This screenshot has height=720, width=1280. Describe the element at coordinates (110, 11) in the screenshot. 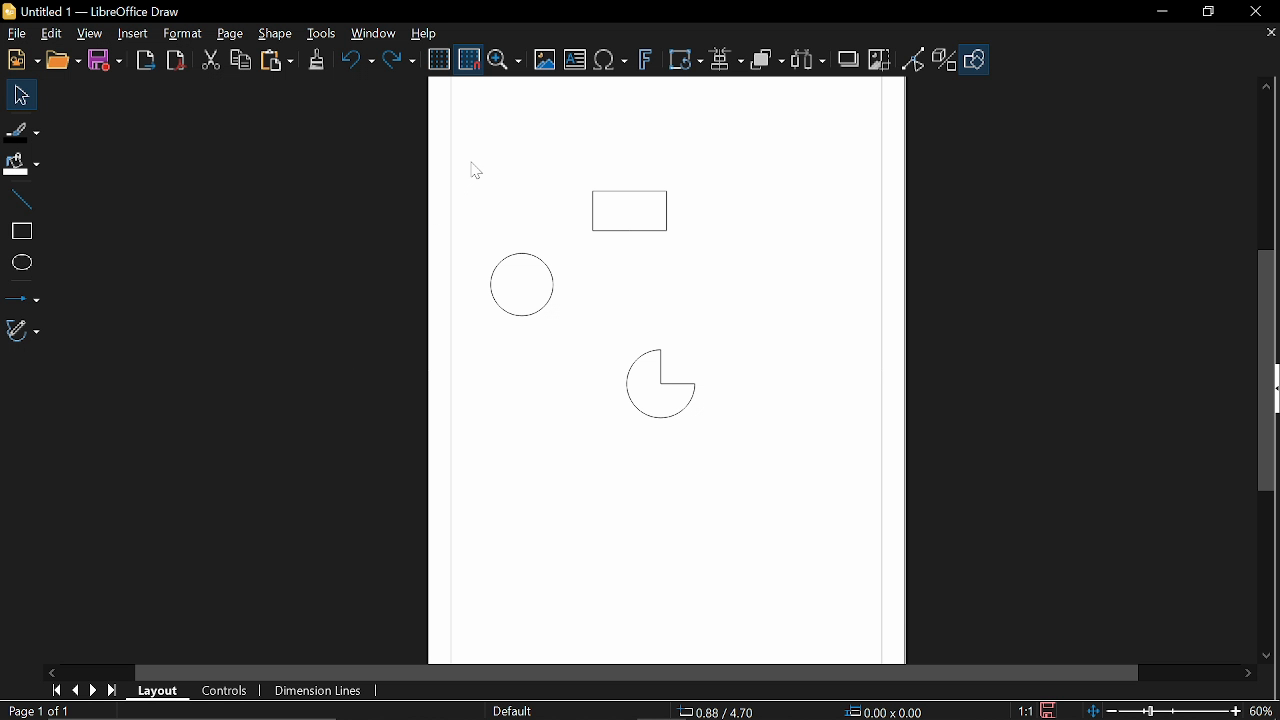

I see `B Untitled 1 — LibreOffice Draw` at that location.